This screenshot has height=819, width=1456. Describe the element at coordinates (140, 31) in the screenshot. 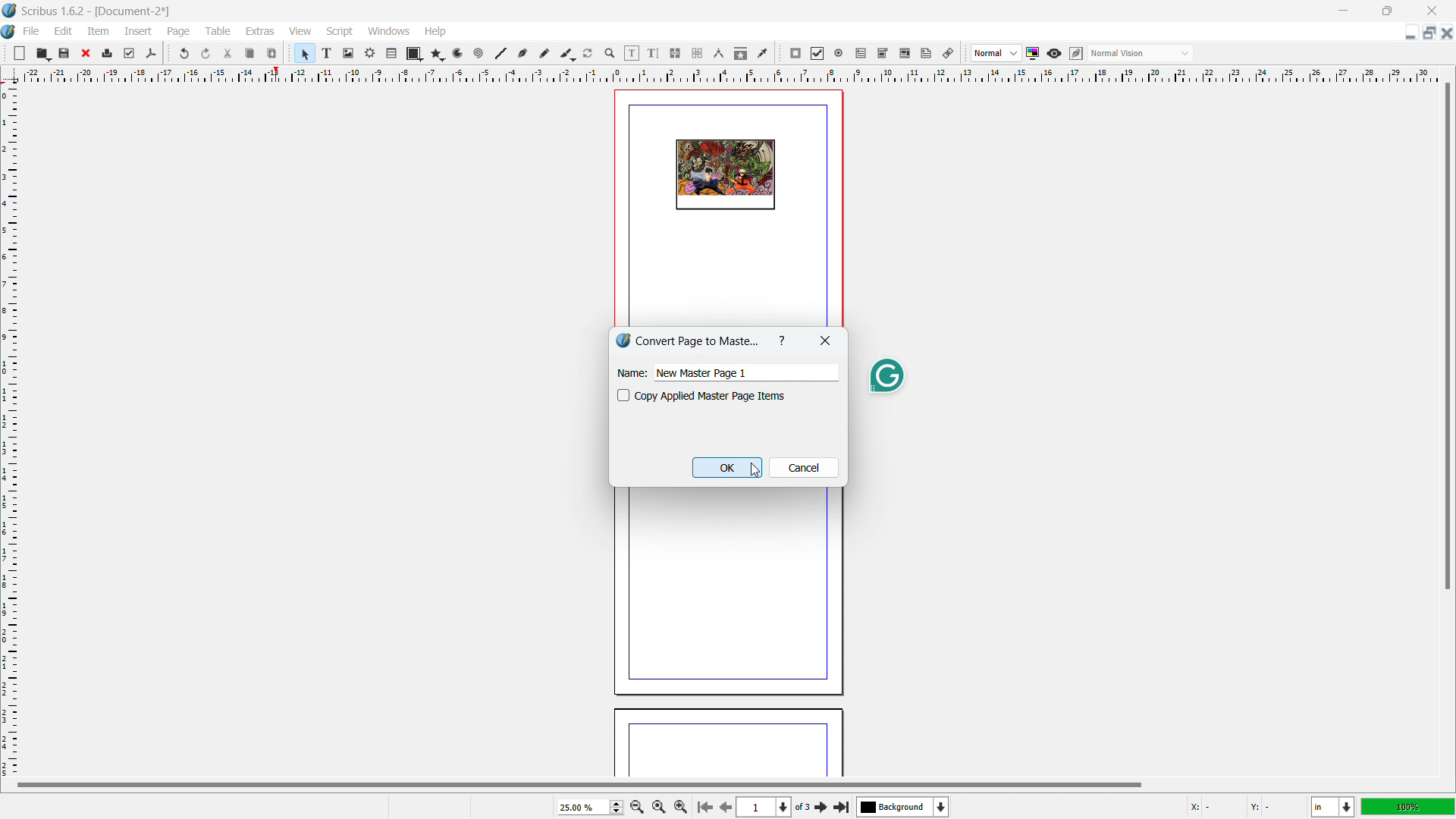

I see `insert` at that location.